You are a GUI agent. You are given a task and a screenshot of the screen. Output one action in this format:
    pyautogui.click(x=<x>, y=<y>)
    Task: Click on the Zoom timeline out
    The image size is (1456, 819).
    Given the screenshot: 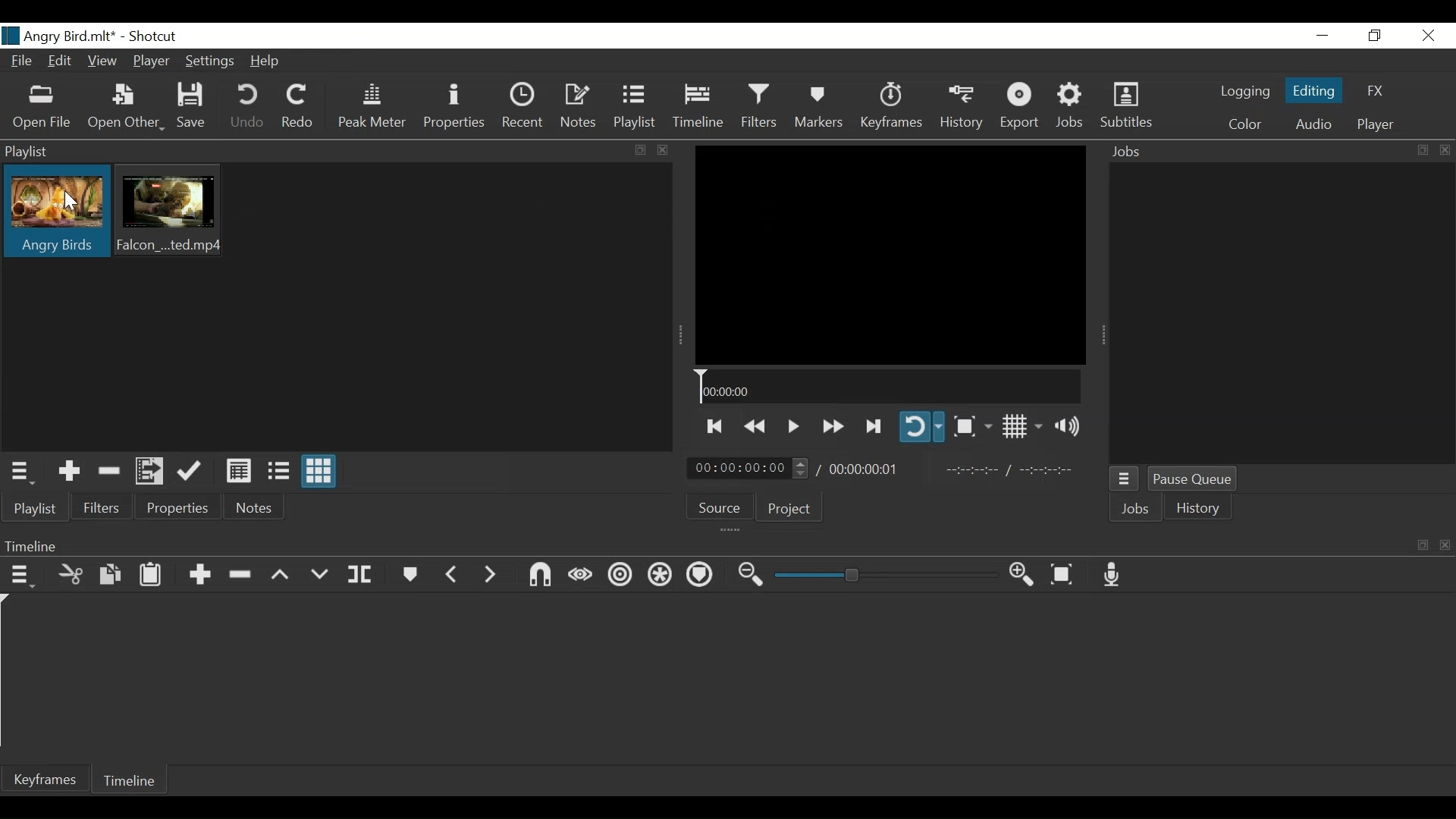 What is the action you would take?
    pyautogui.click(x=748, y=576)
    